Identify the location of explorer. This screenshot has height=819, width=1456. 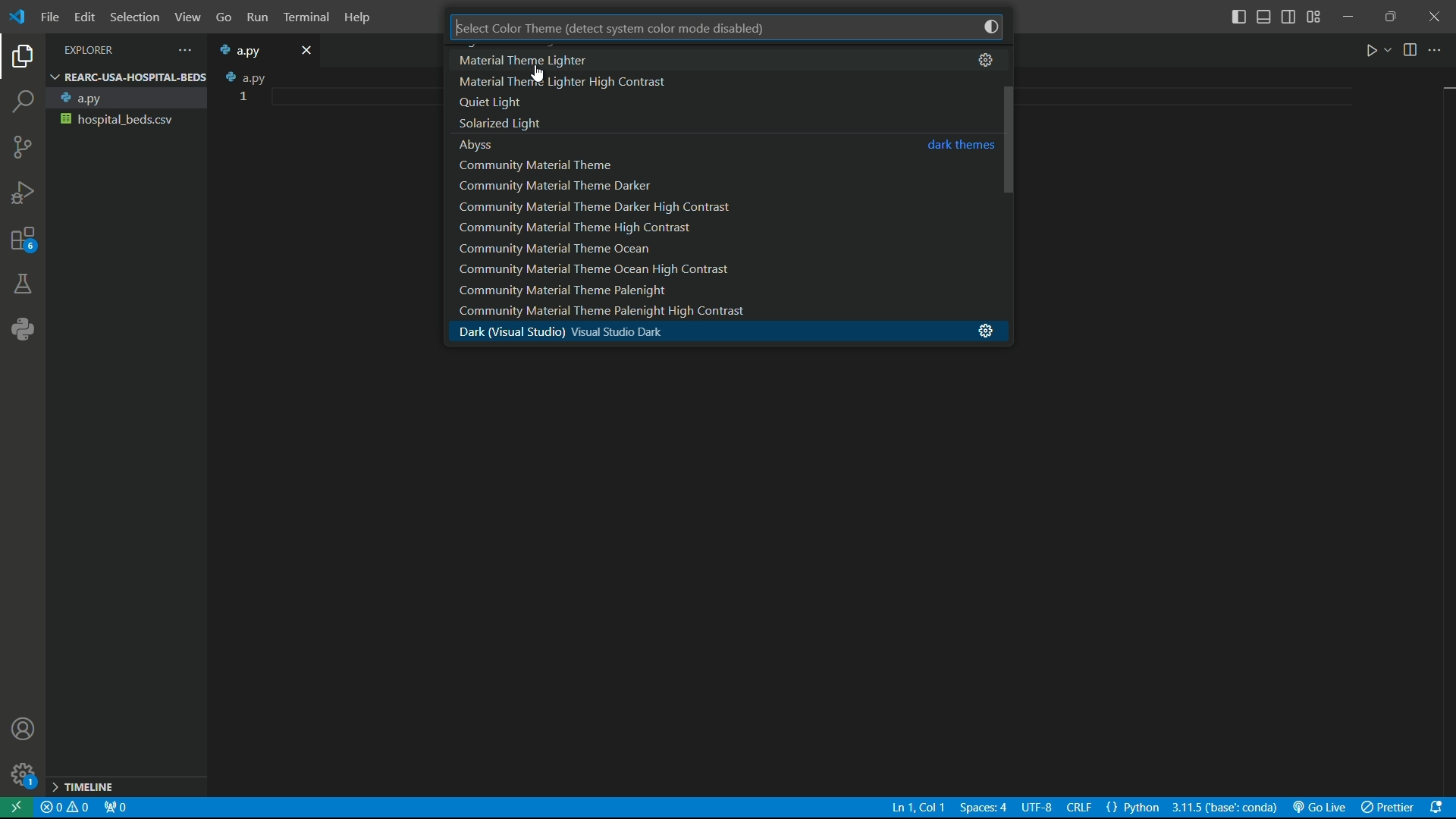
(24, 59).